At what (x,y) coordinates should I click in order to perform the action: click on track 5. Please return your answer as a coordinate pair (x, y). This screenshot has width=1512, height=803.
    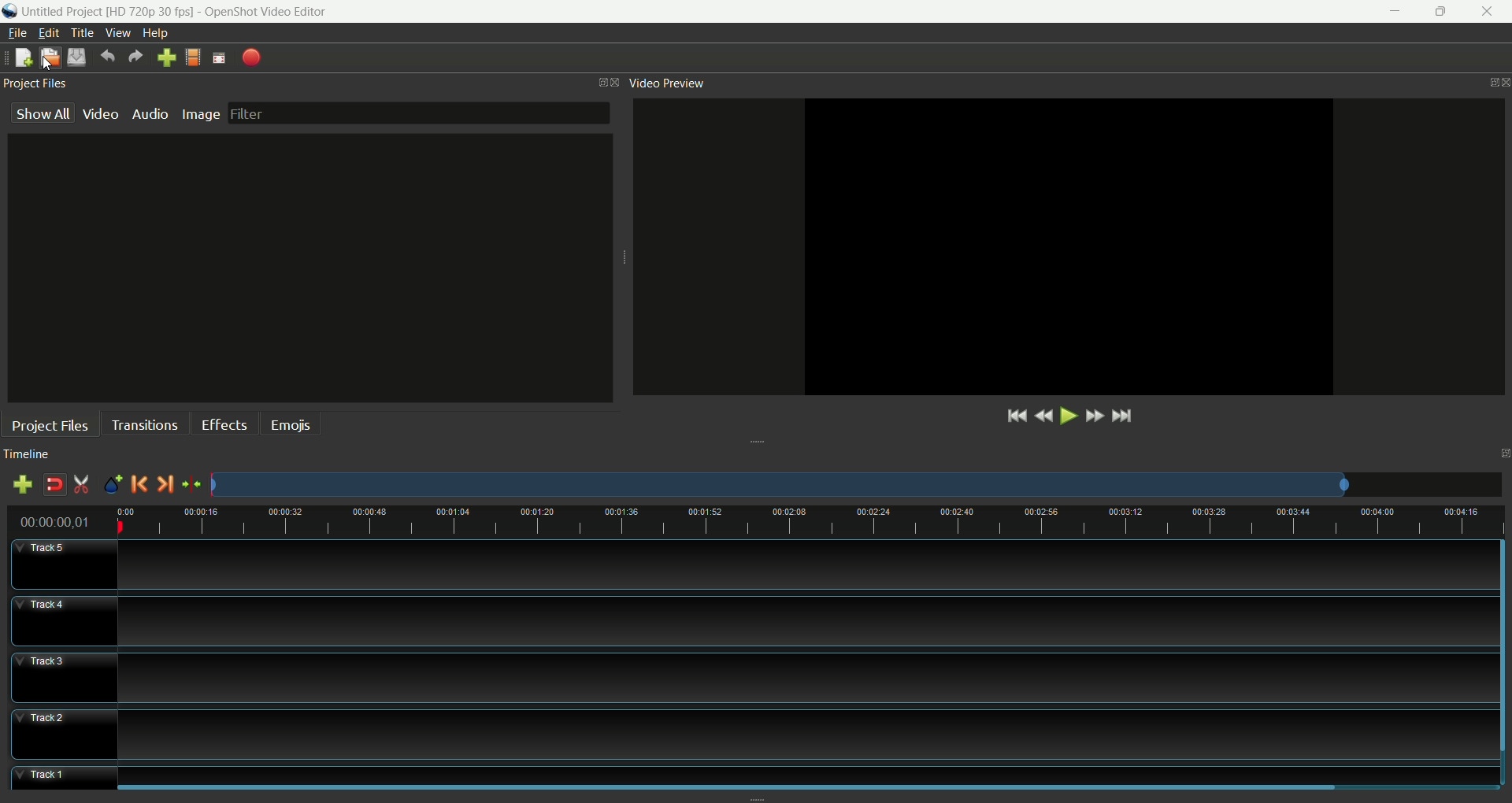
    Looking at the image, I should click on (792, 565).